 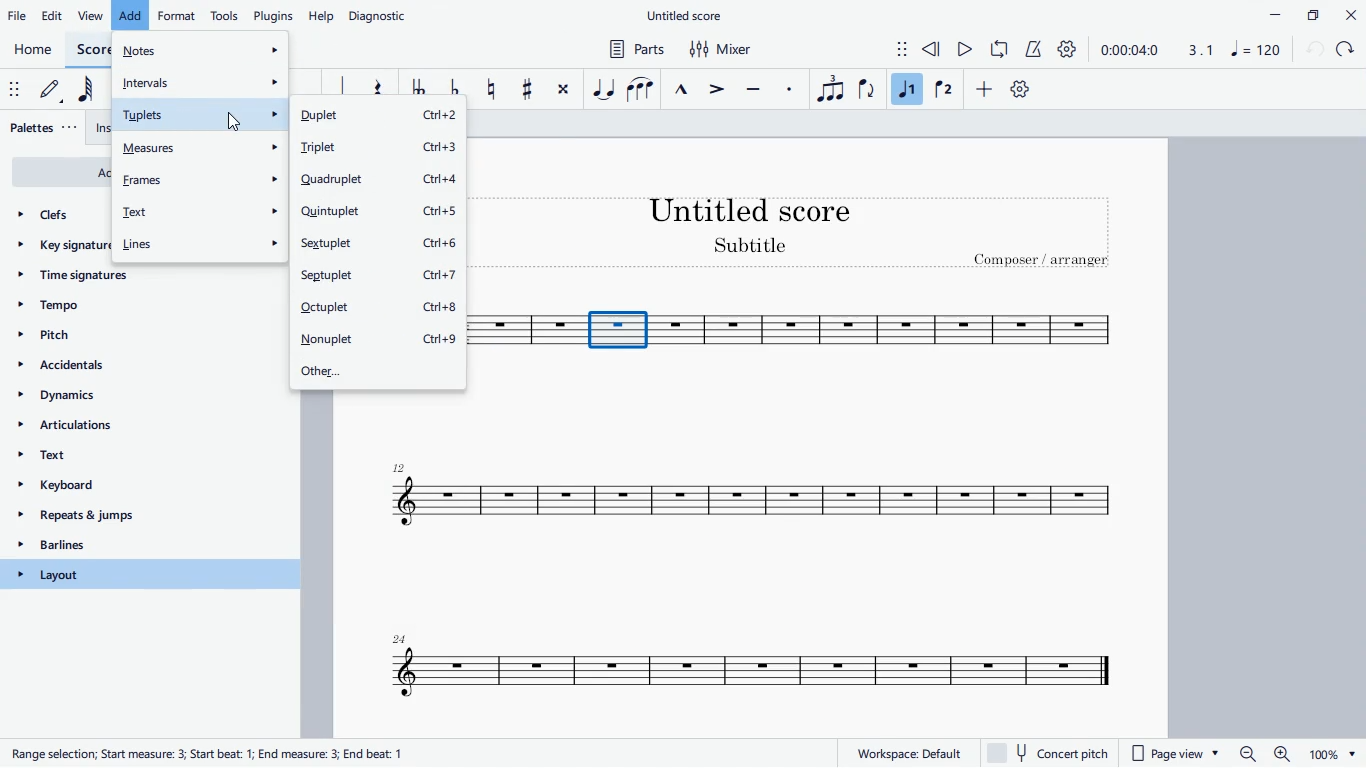 What do you see at coordinates (1045, 262) in the screenshot?
I see `composer / arranger` at bounding box center [1045, 262].